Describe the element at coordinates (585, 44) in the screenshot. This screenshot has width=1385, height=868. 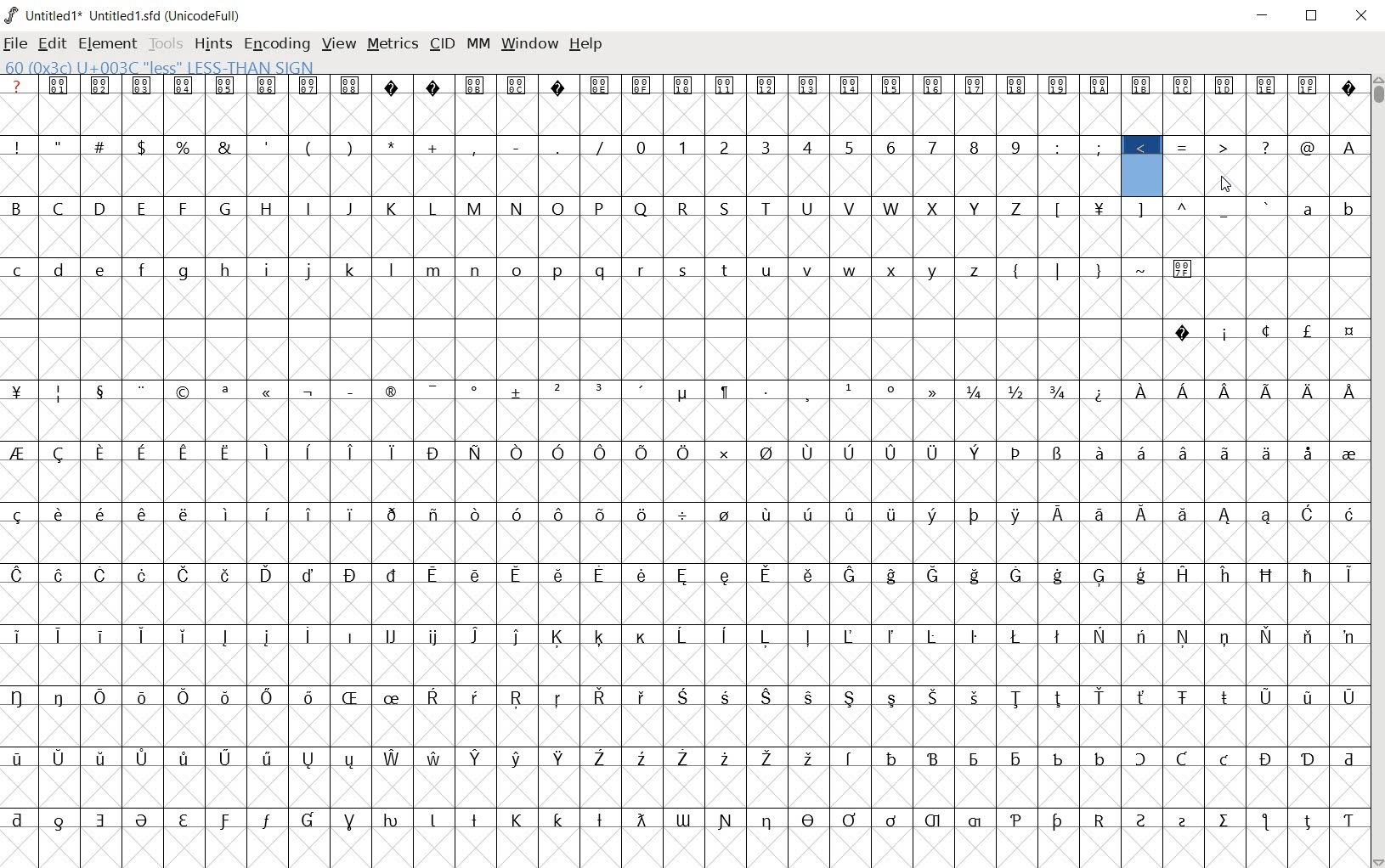
I see `help` at that location.